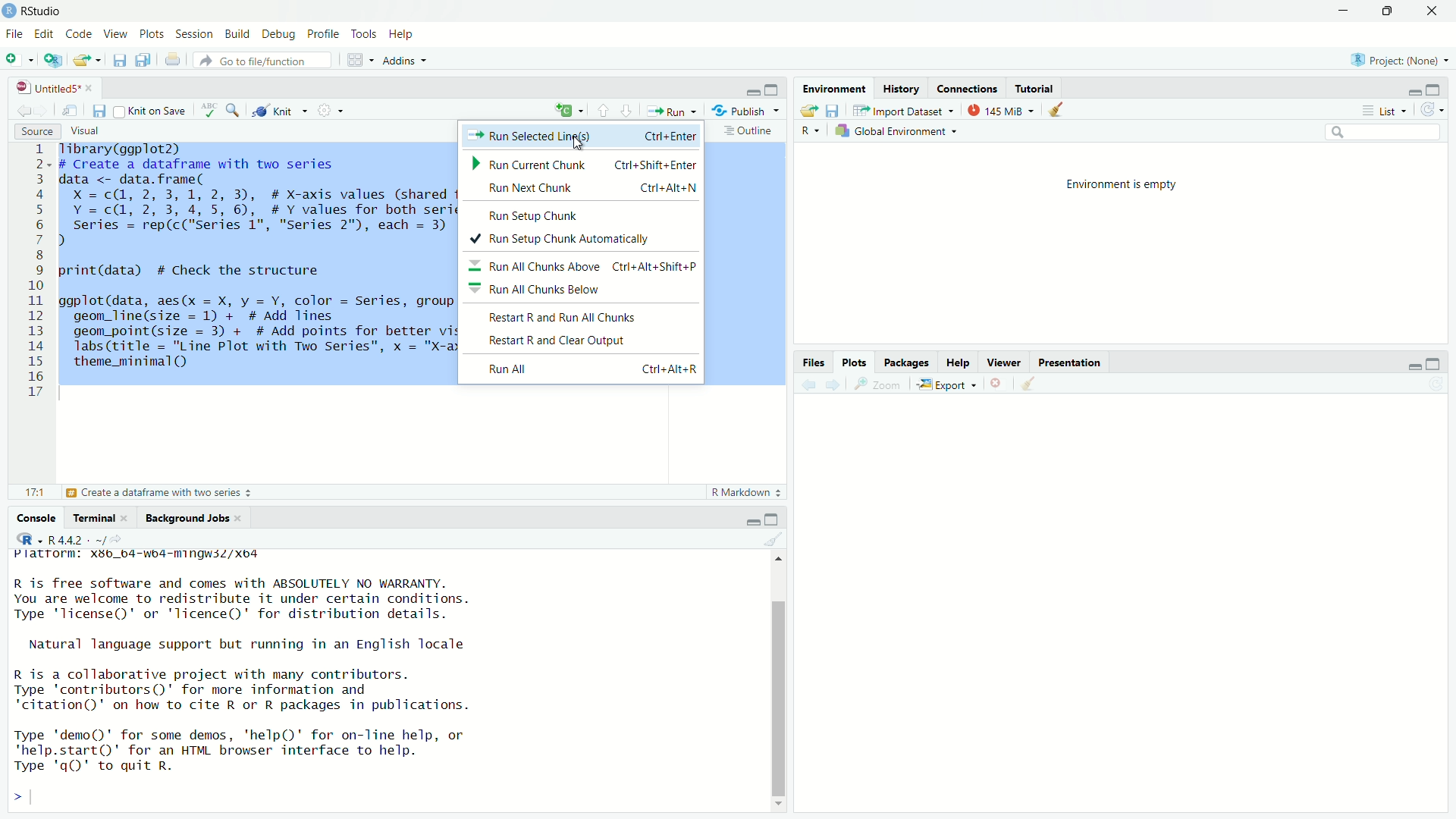  I want to click on input cursor, so click(35, 795).